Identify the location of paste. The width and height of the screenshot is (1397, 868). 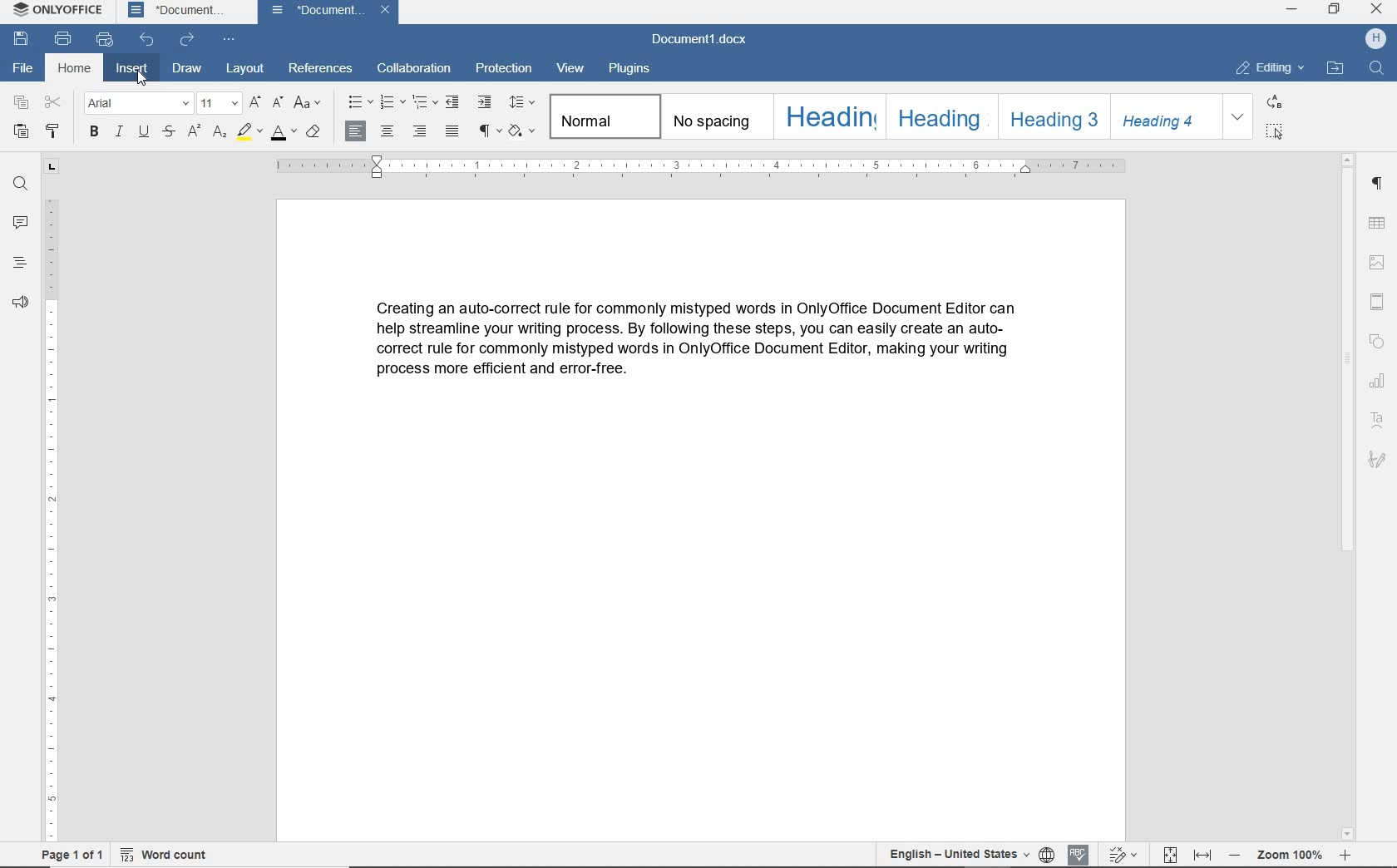
(22, 133).